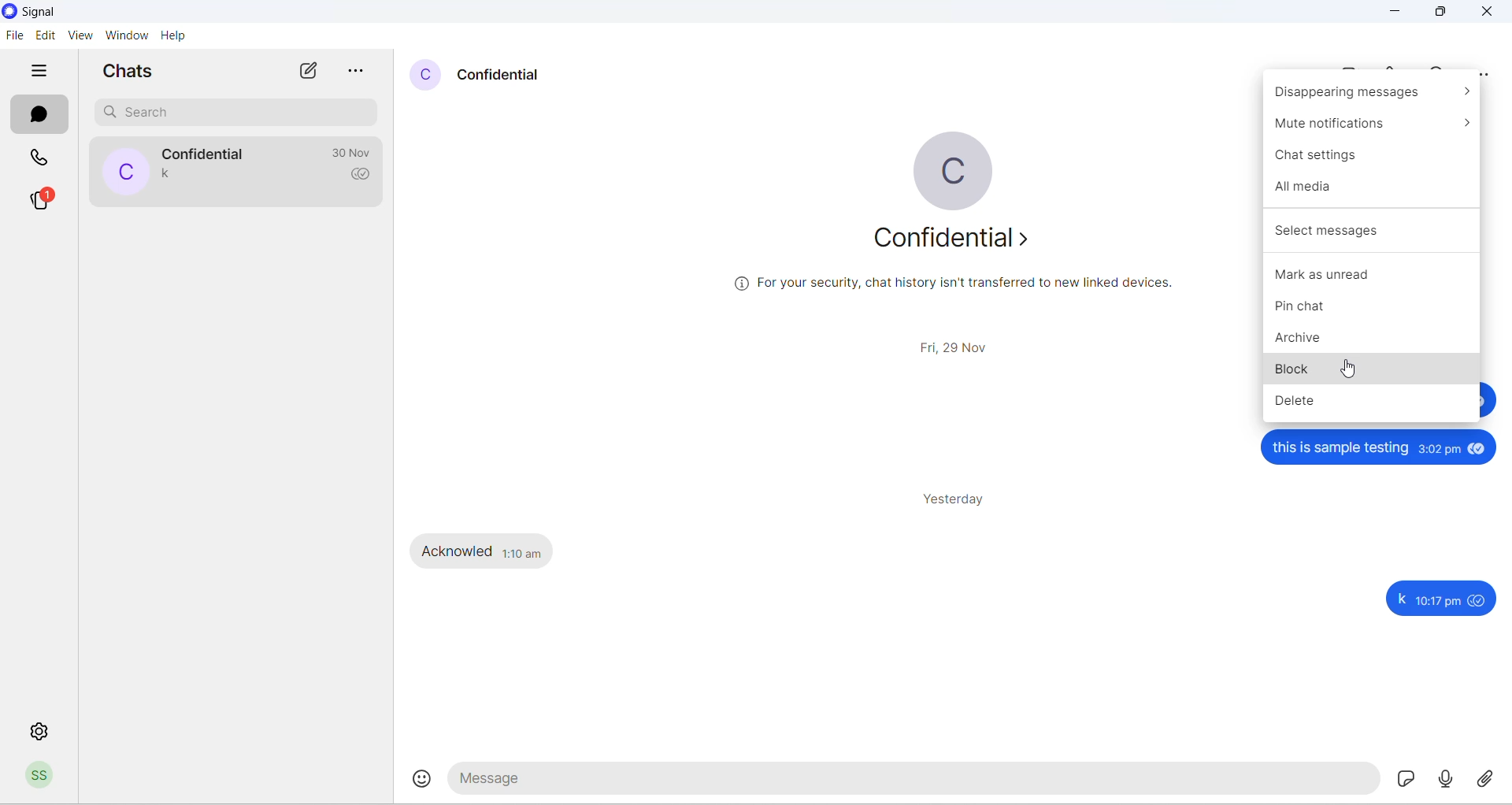 The height and width of the screenshot is (805, 1512). Describe the element at coordinates (961, 291) in the screenshot. I see `security related text` at that location.